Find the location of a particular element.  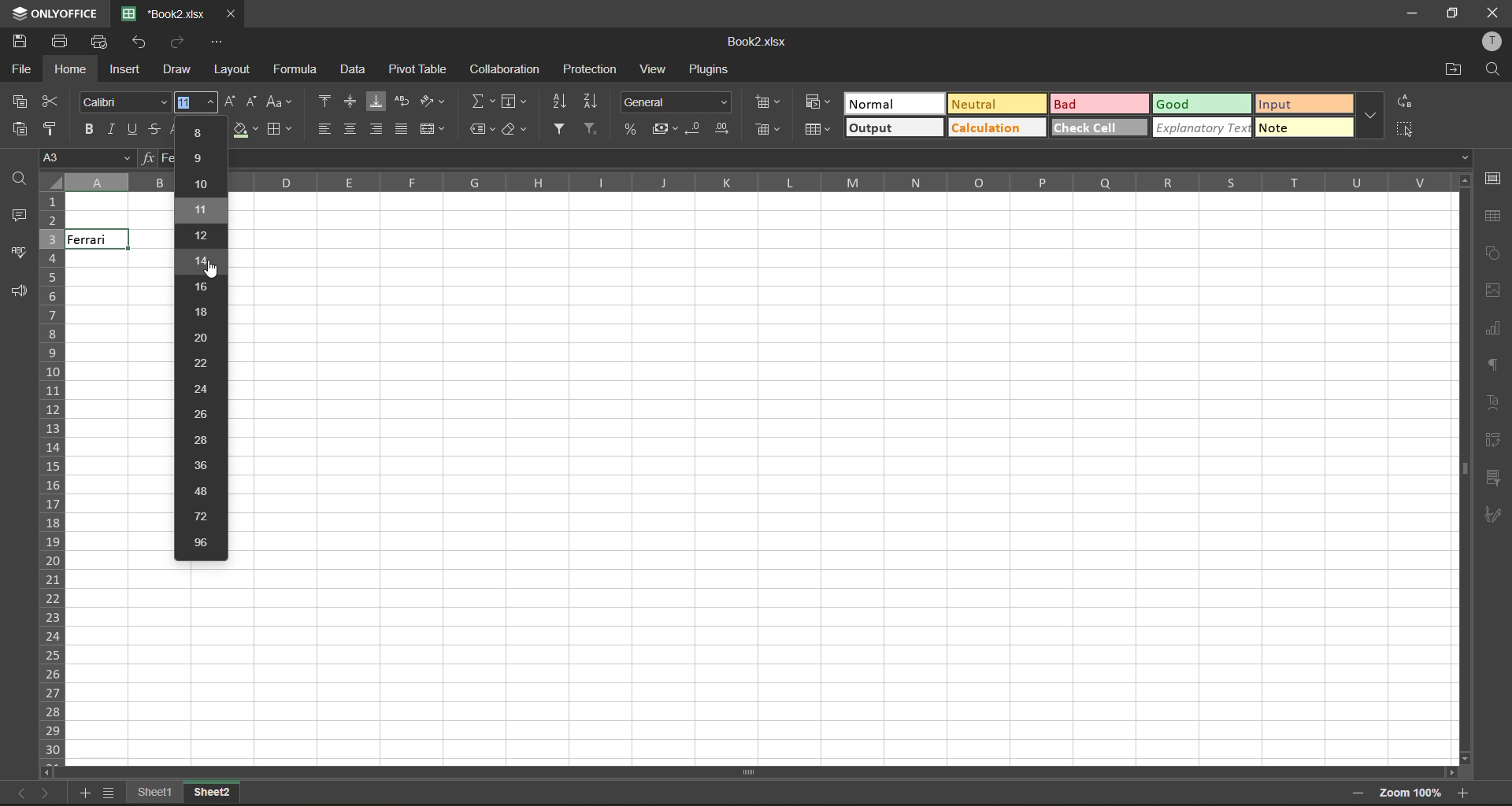

cell settings is located at coordinates (1492, 179).